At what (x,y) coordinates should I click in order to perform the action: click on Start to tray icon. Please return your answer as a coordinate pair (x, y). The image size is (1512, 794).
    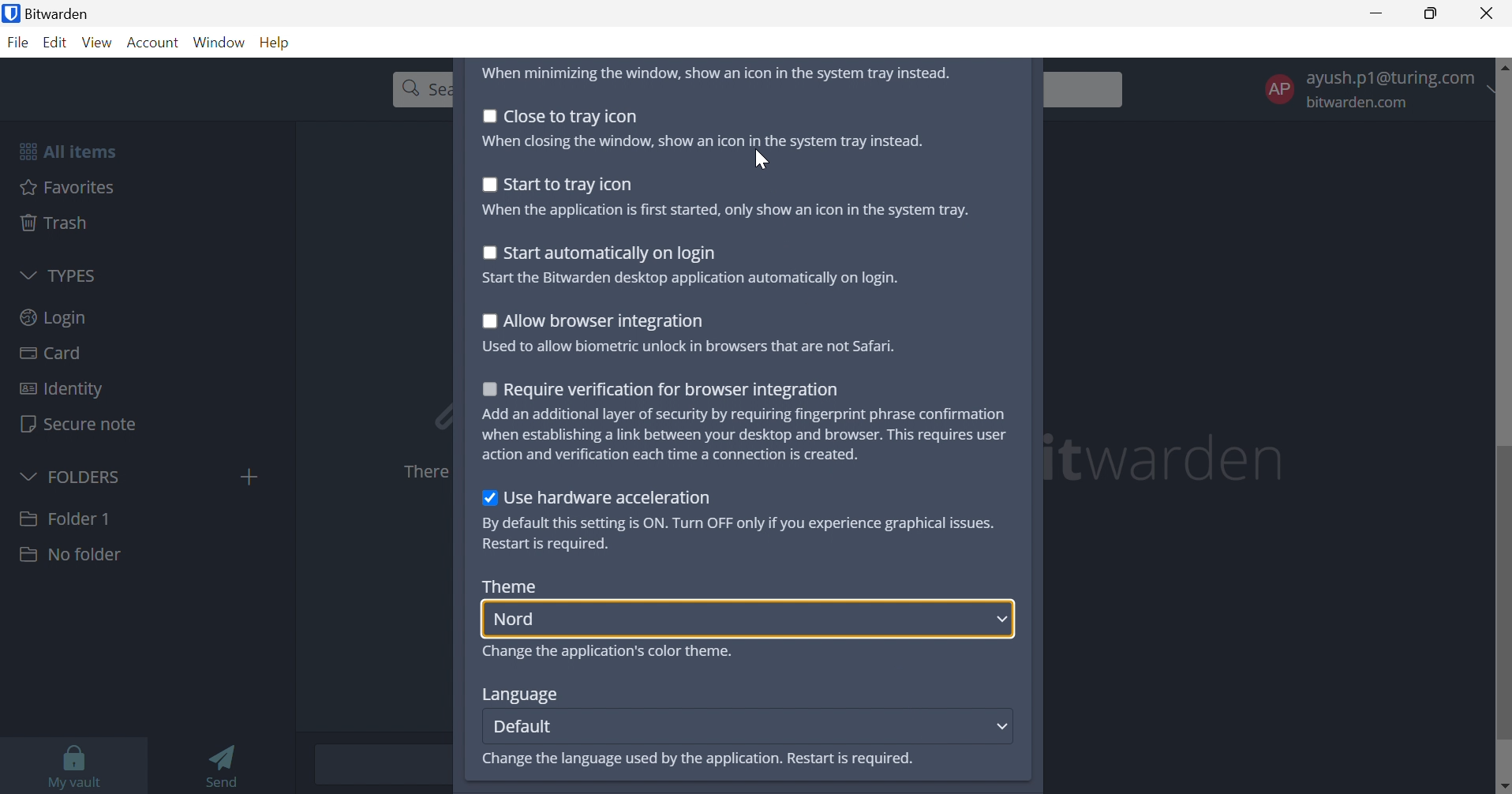
    Looking at the image, I should click on (571, 185).